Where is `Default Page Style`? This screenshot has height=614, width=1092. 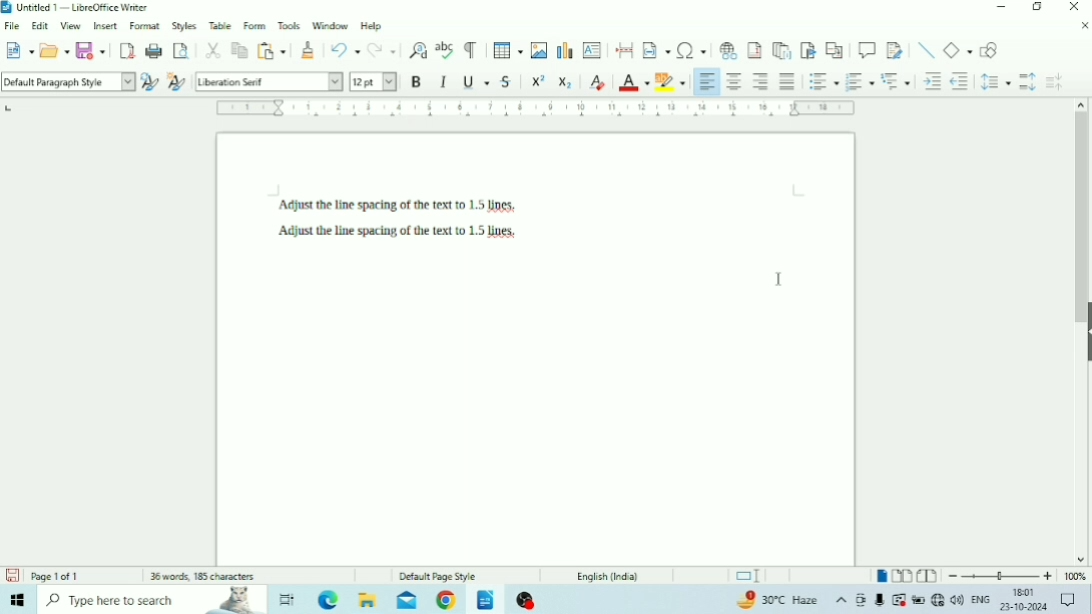 Default Page Style is located at coordinates (438, 575).